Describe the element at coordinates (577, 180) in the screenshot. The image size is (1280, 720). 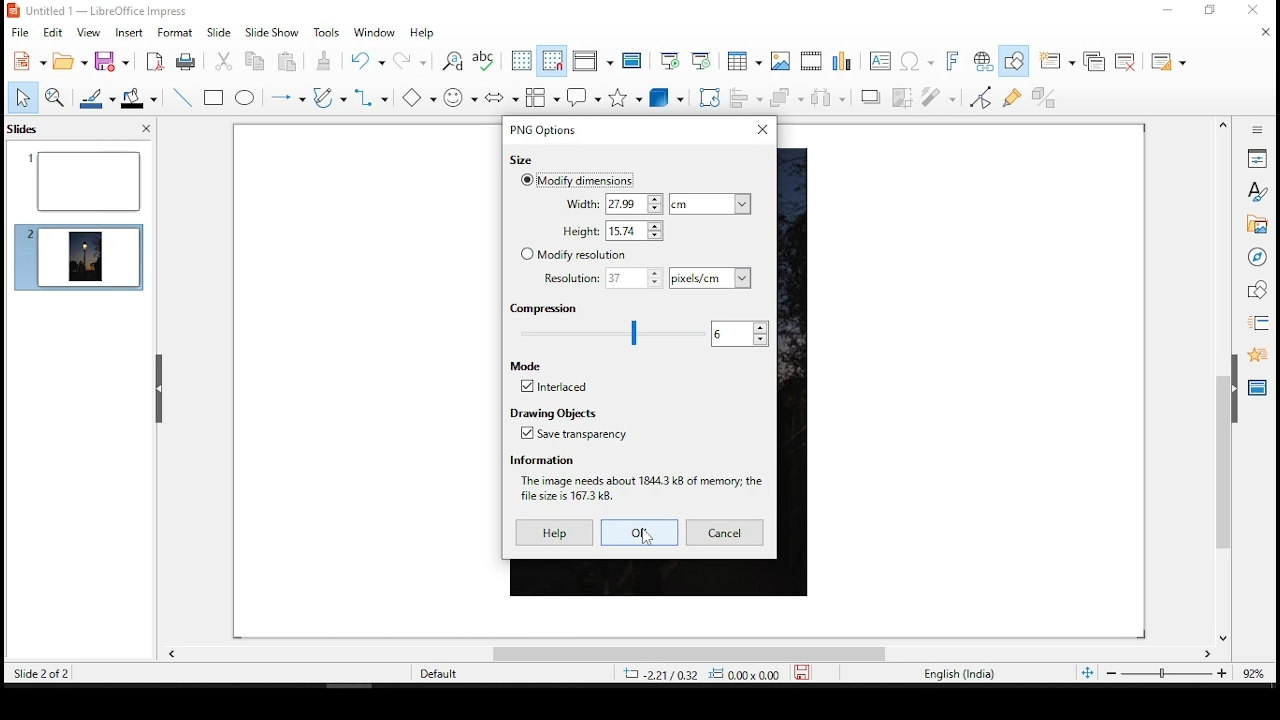
I see `modify dimensions` at that location.